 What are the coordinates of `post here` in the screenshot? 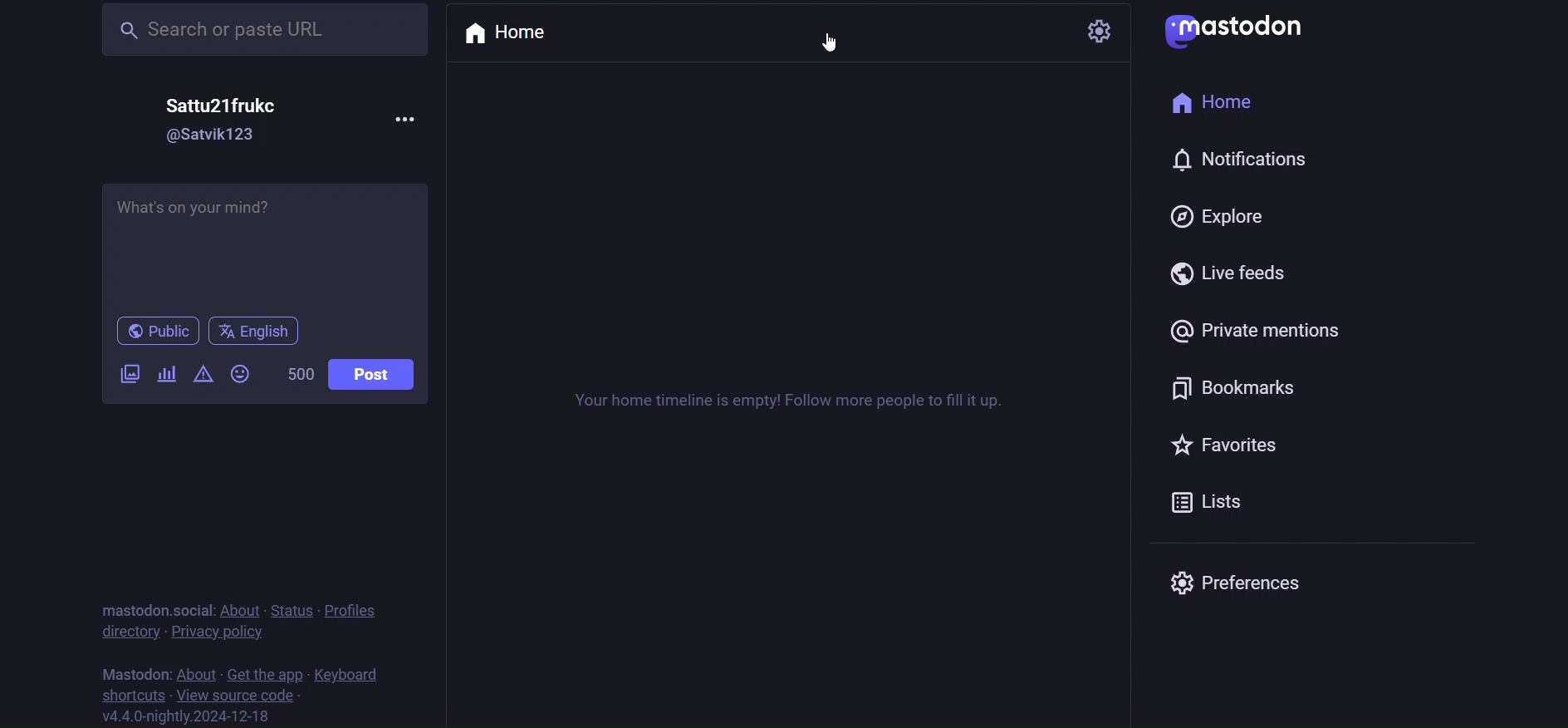 It's located at (267, 243).